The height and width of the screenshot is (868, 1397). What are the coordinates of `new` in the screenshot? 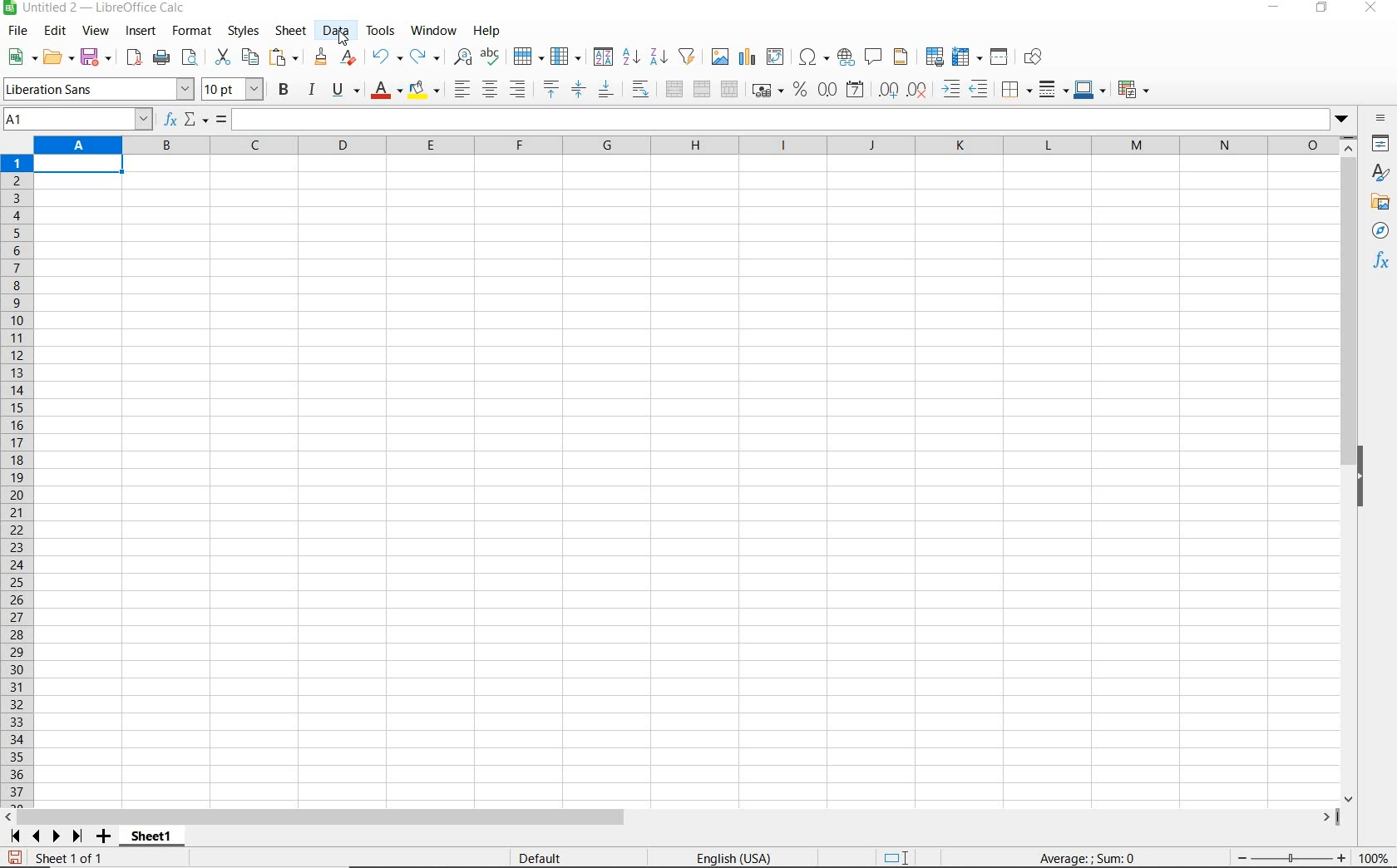 It's located at (22, 57).